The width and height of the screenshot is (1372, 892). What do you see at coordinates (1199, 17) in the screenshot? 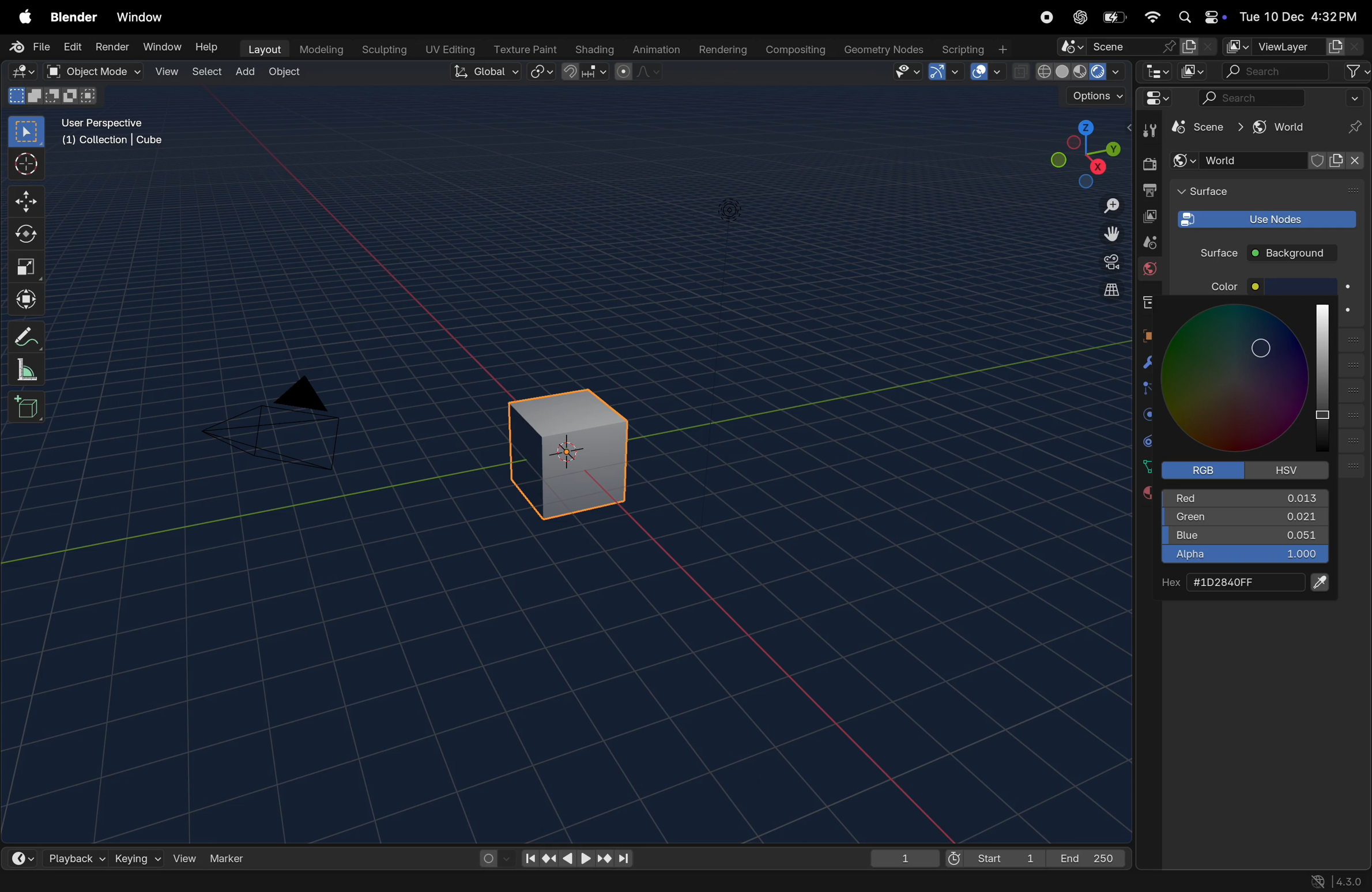
I see `apple widgets` at bounding box center [1199, 17].